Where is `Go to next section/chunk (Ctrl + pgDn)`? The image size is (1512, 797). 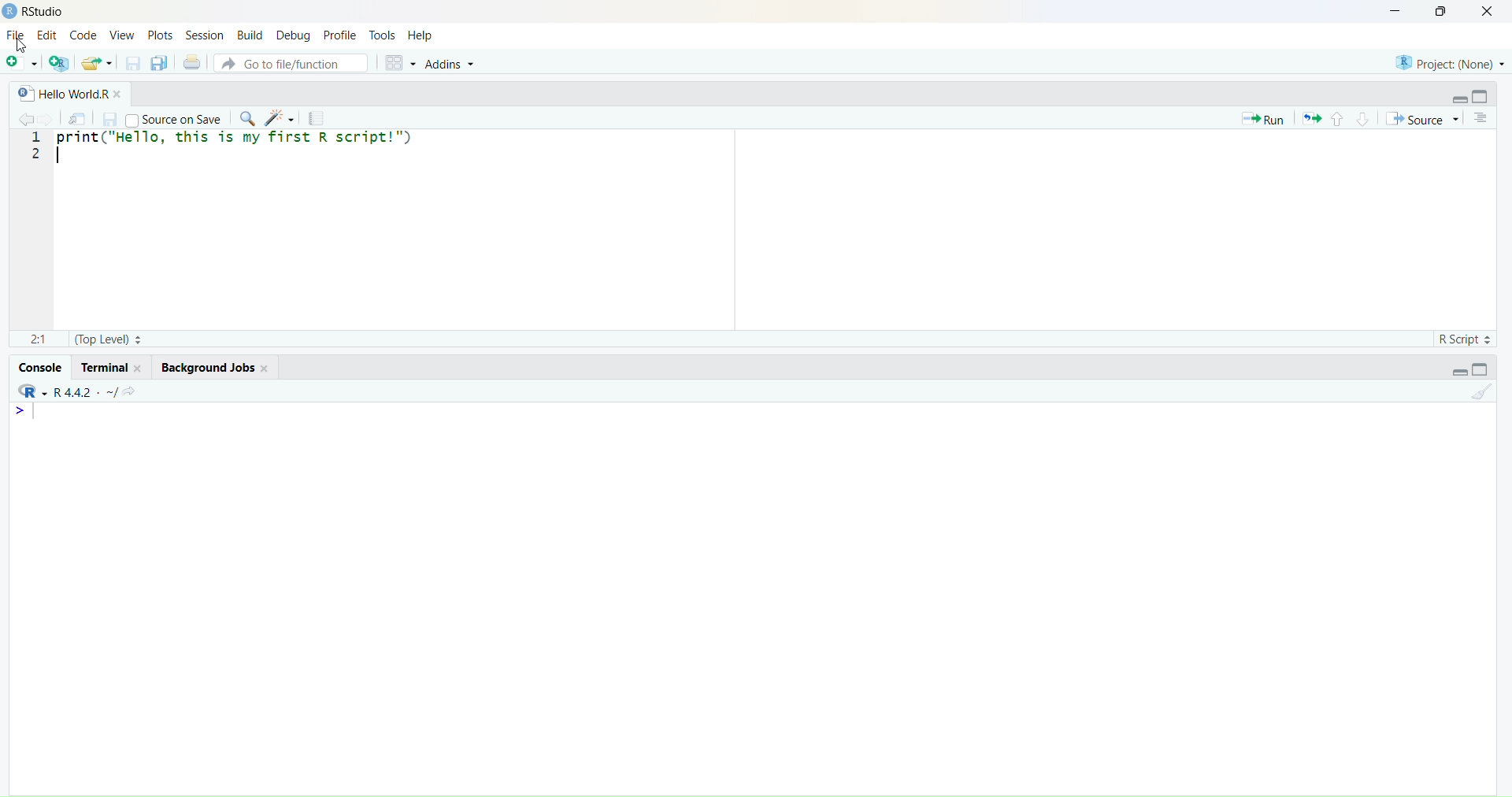 Go to next section/chunk (Ctrl + pgDn) is located at coordinates (1360, 117).